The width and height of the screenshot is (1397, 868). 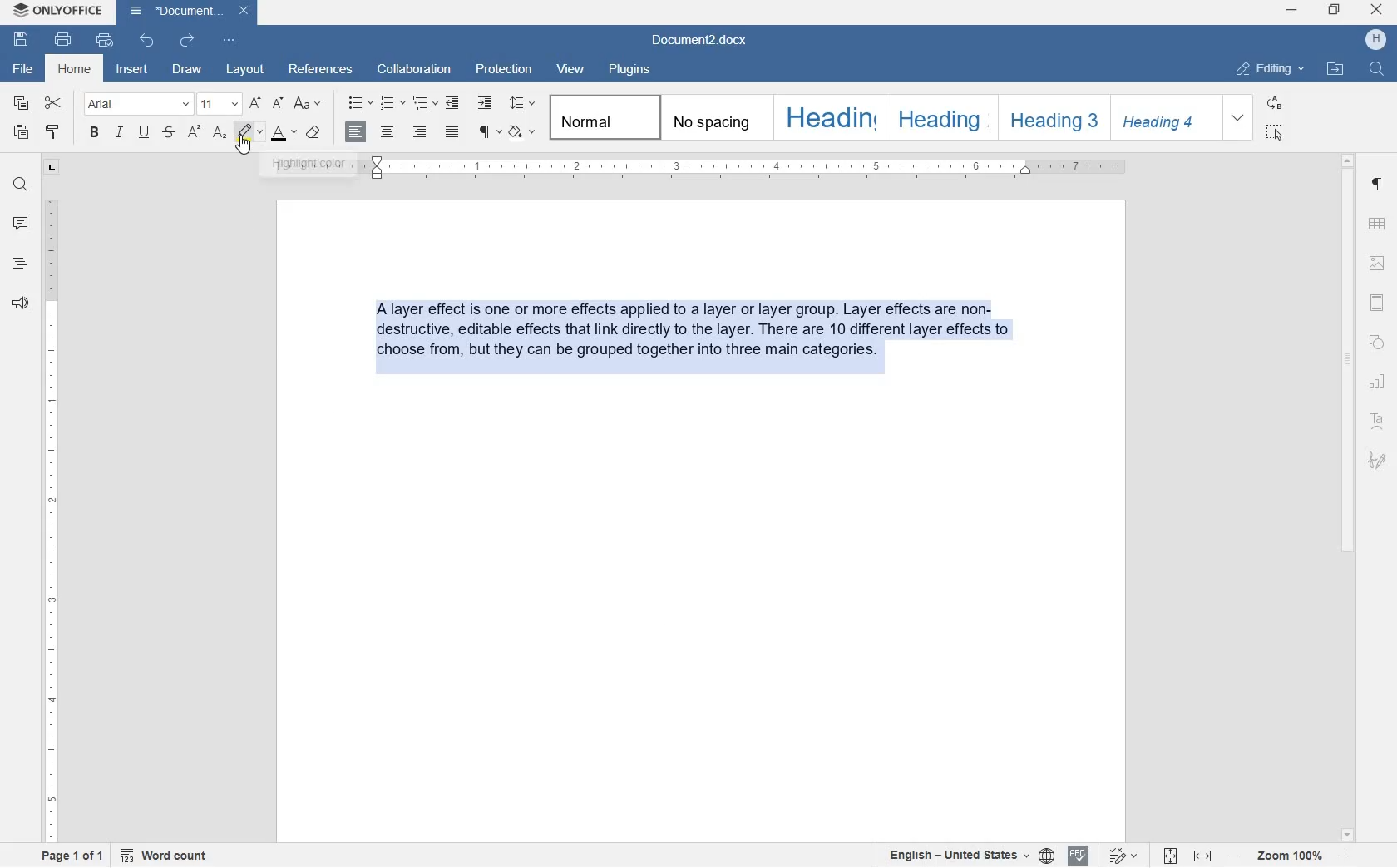 What do you see at coordinates (1162, 118) in the screenshot?
I see `HEADING 4` at bounding box center [1162, 118].